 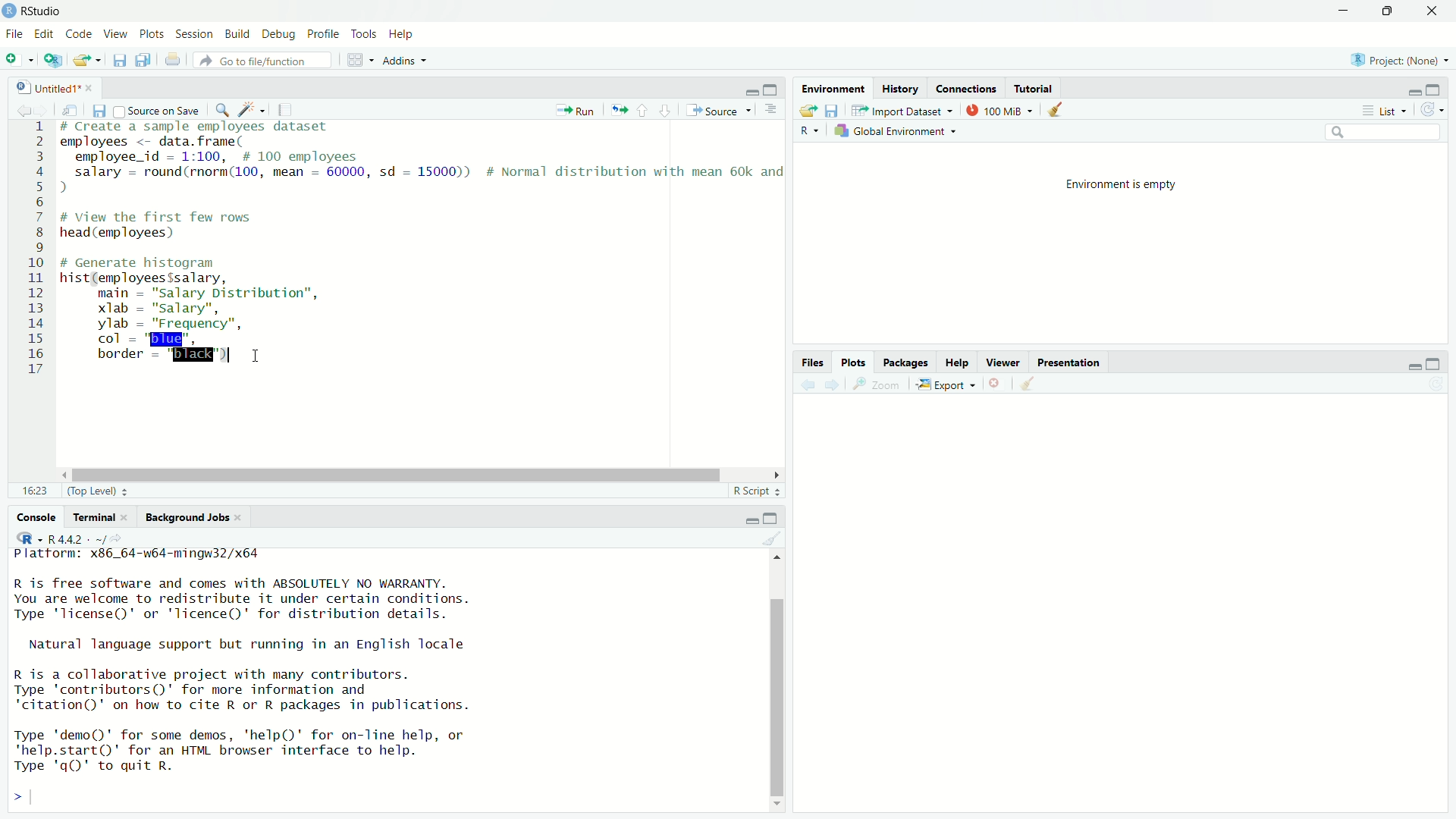 What do you see at coordinates (1415, 367) in the screenshot?
I see `minimise` at bounding box center [1415, 367].